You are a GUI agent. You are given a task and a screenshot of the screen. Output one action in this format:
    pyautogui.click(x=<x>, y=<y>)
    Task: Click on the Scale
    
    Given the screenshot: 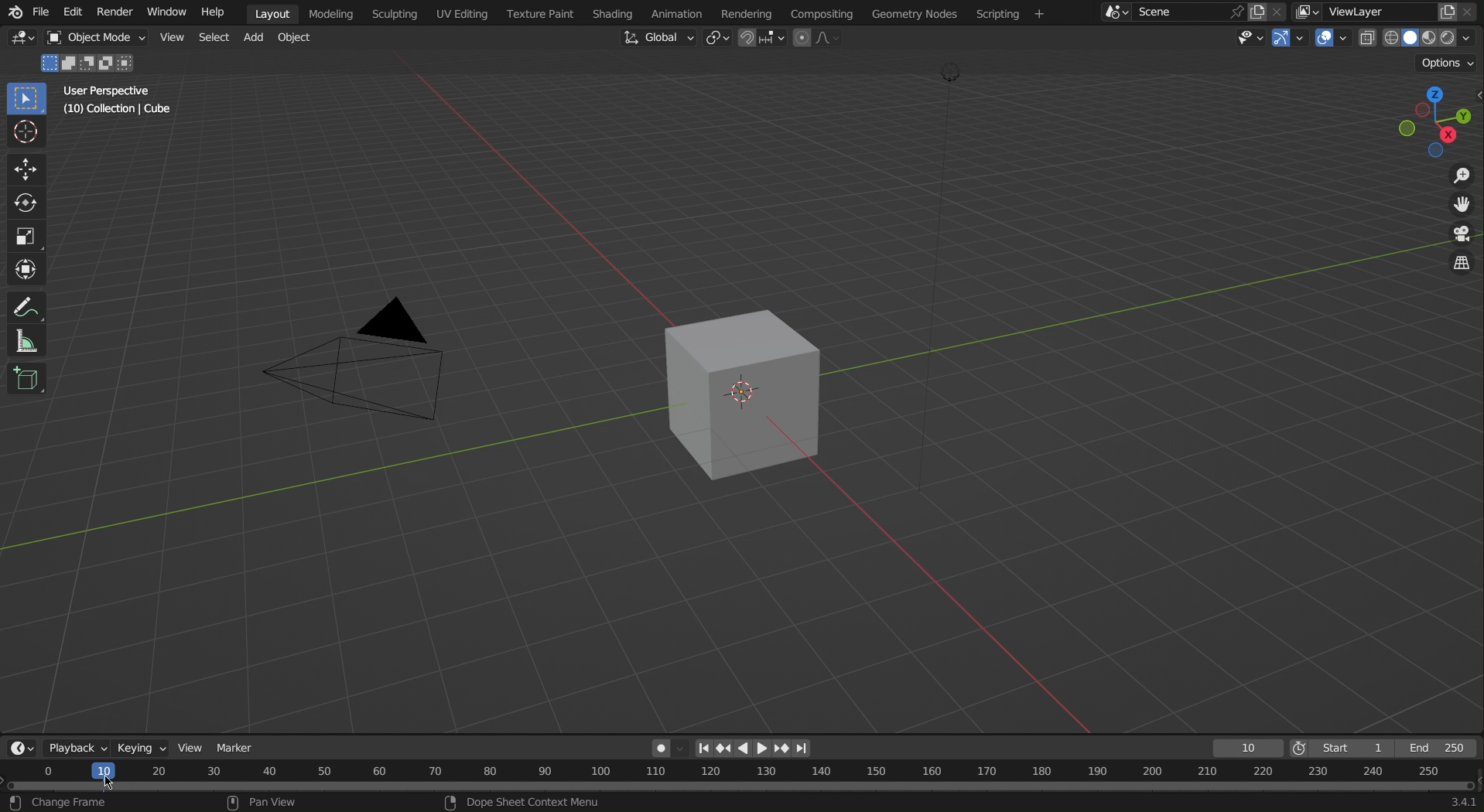 What is the action you would take?
    pyautogui.click(x=26, y=234)
    